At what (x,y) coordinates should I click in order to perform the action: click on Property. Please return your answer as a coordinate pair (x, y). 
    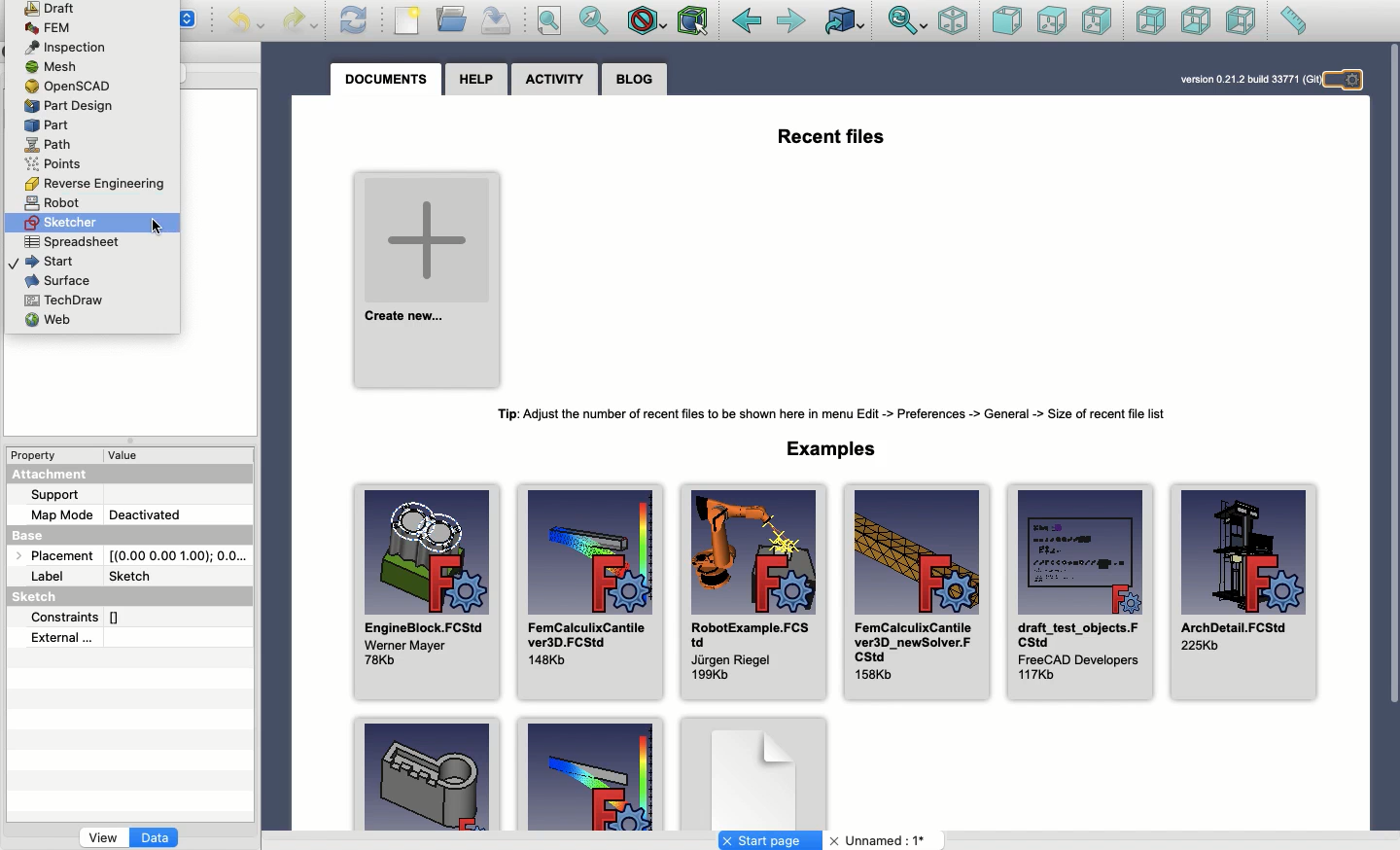
    Looking at the image, I should click on (35, 457).